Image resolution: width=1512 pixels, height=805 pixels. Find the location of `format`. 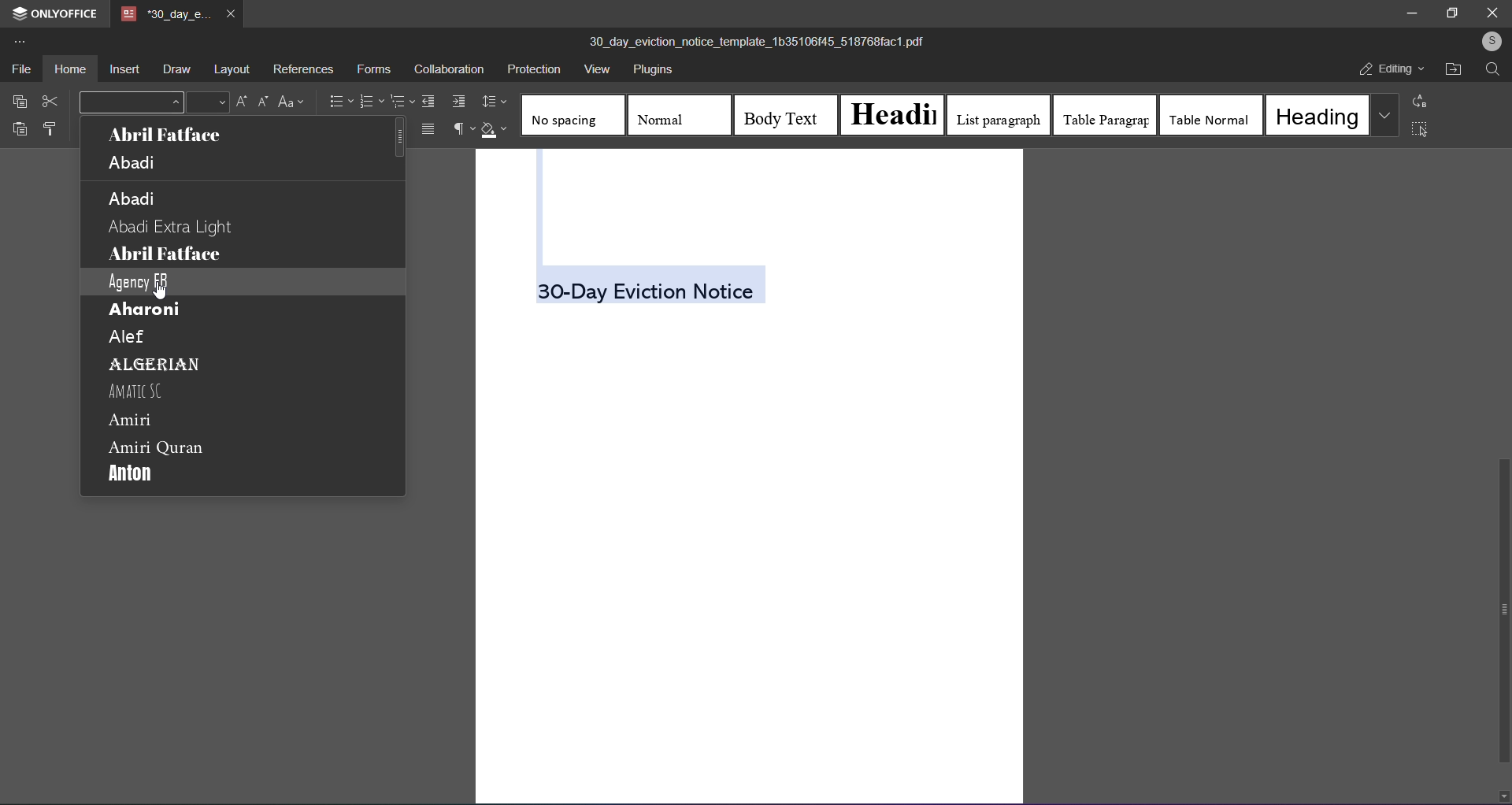

format is located at coordinates (50, 128).